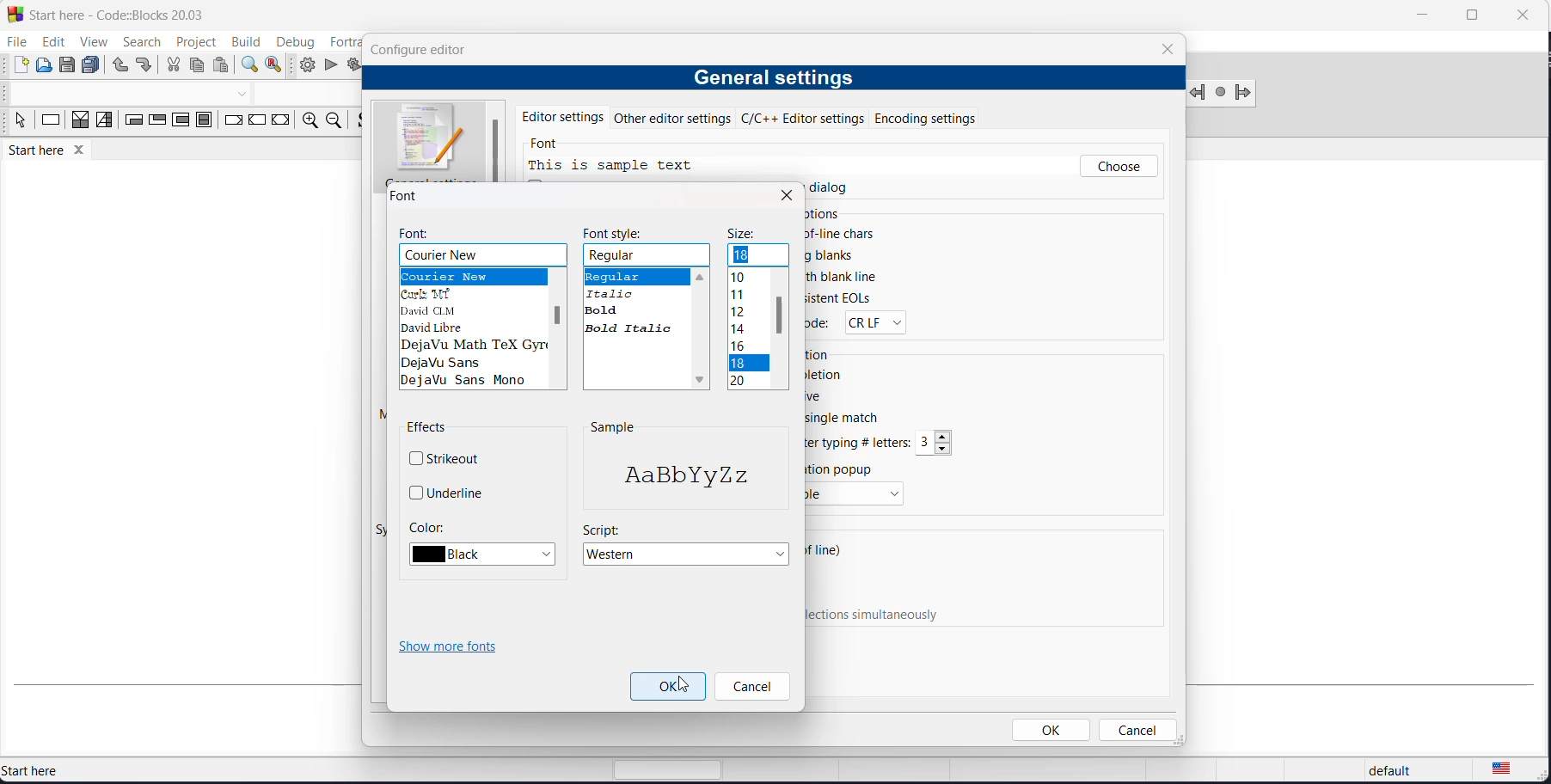 This screenshot has height=784, width=1551. What do you see at coordinates (280, 123) in the screenshot?
I see `return instruction` at bounding box center [280, 123].